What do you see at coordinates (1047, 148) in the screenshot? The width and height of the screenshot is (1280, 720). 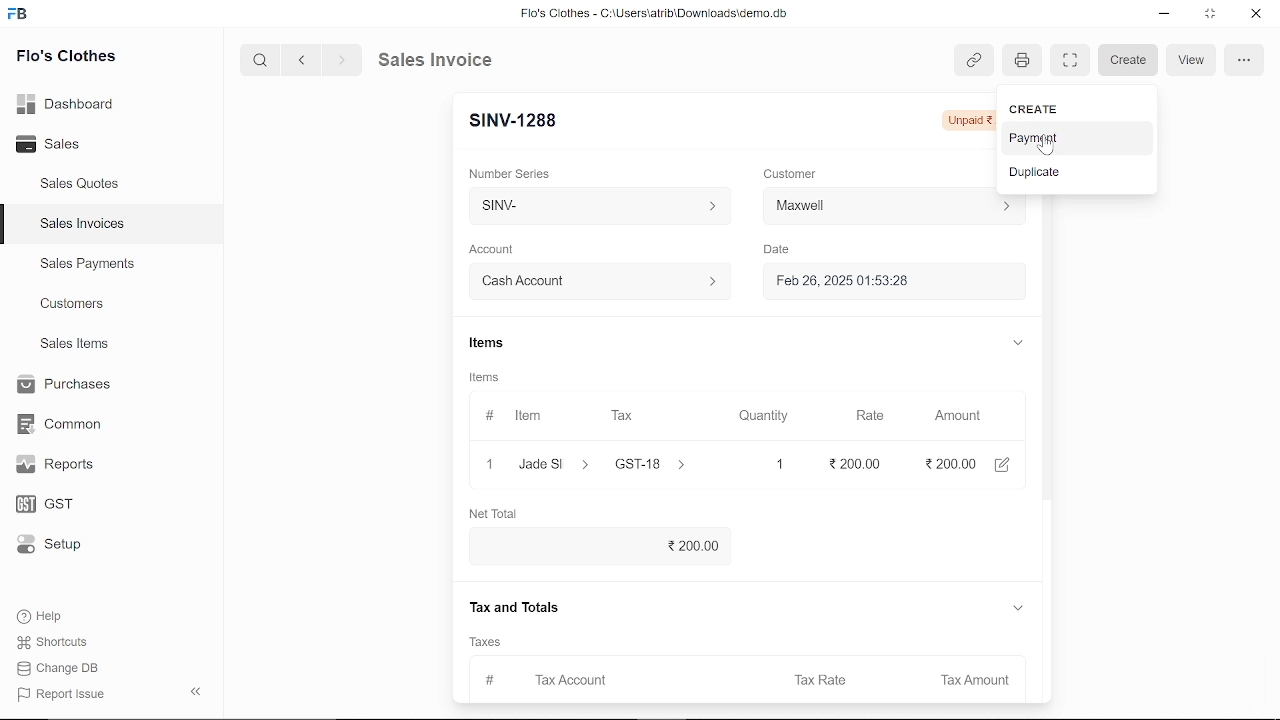 I see `cursor` at bounding box center [1047, 148].